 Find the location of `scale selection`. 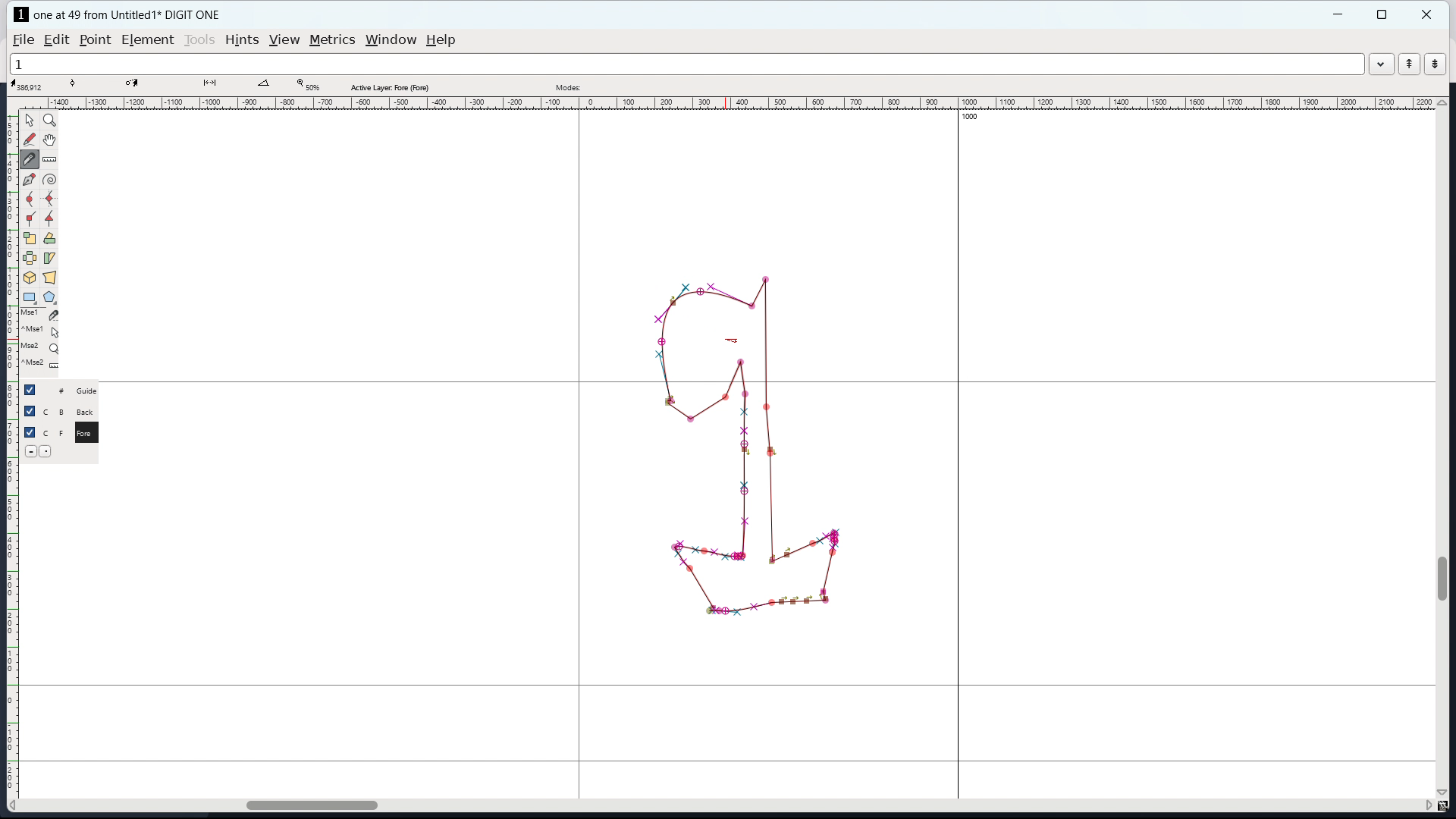

scale selection is located at coordinates (29, 238).